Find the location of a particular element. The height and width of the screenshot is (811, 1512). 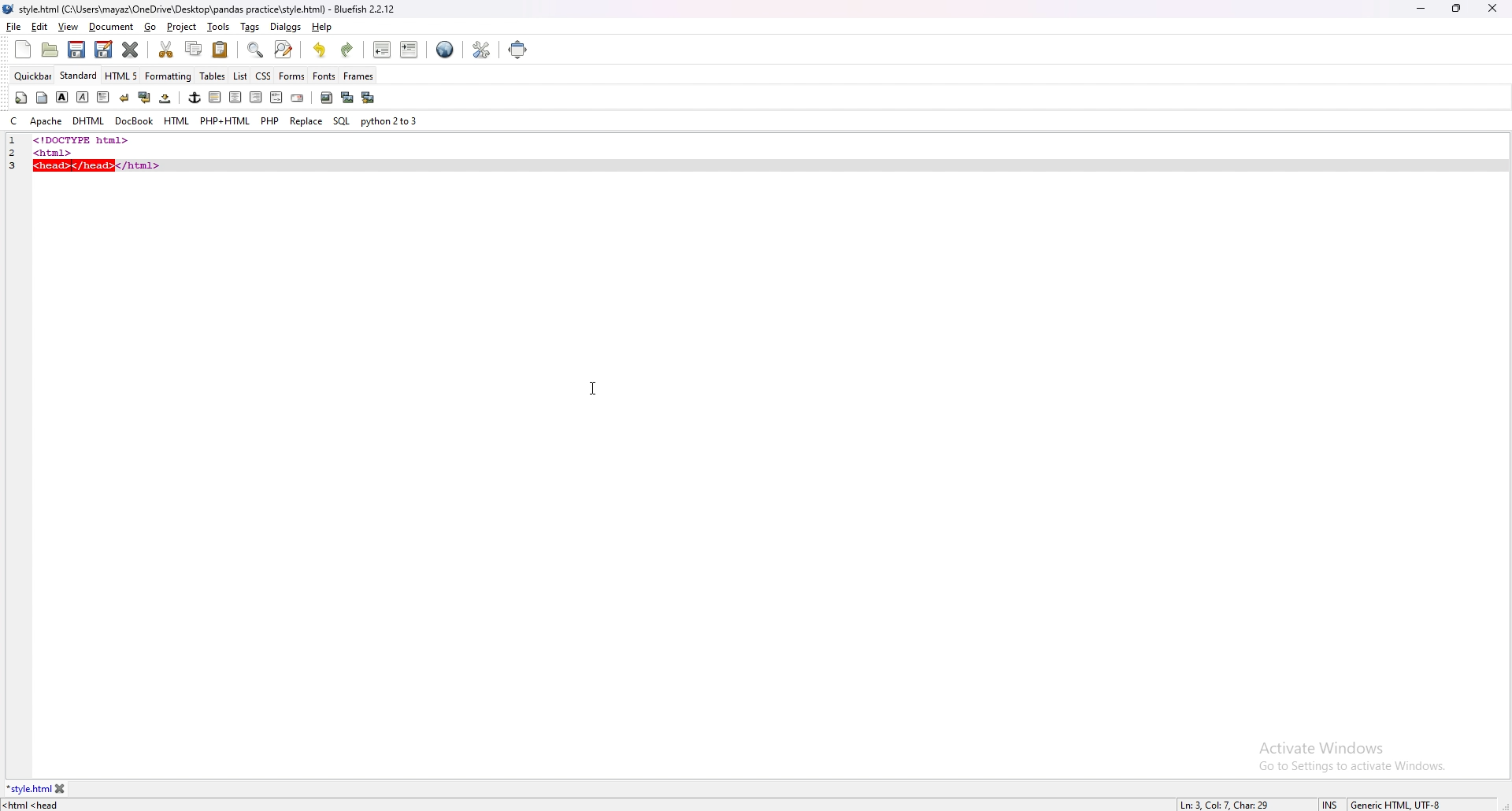

insert image is located at coordinates (326, 98).